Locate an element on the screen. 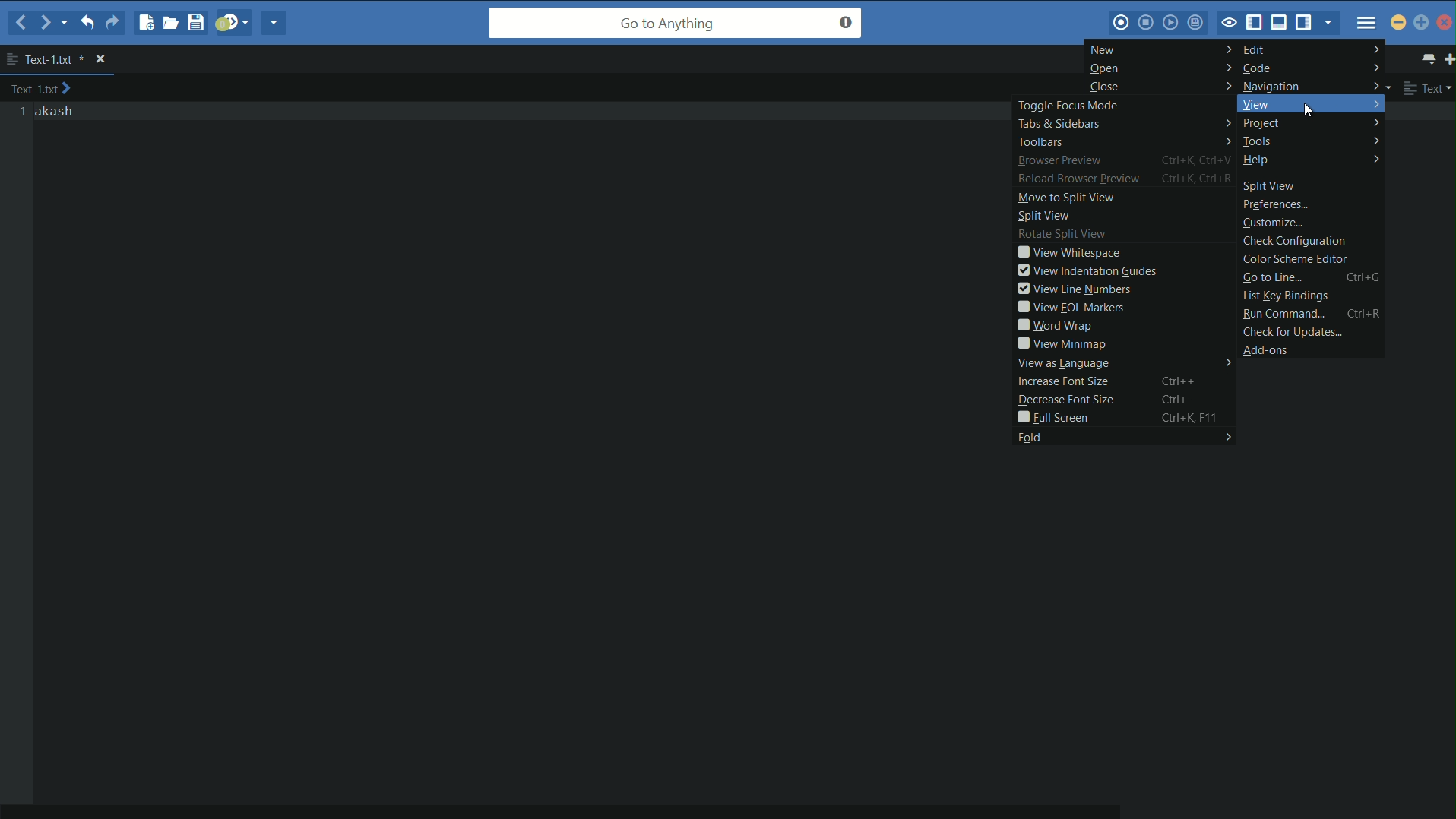 The width and height of the screenshot is (1456, 819). view is located at coordinates (1311, 103).